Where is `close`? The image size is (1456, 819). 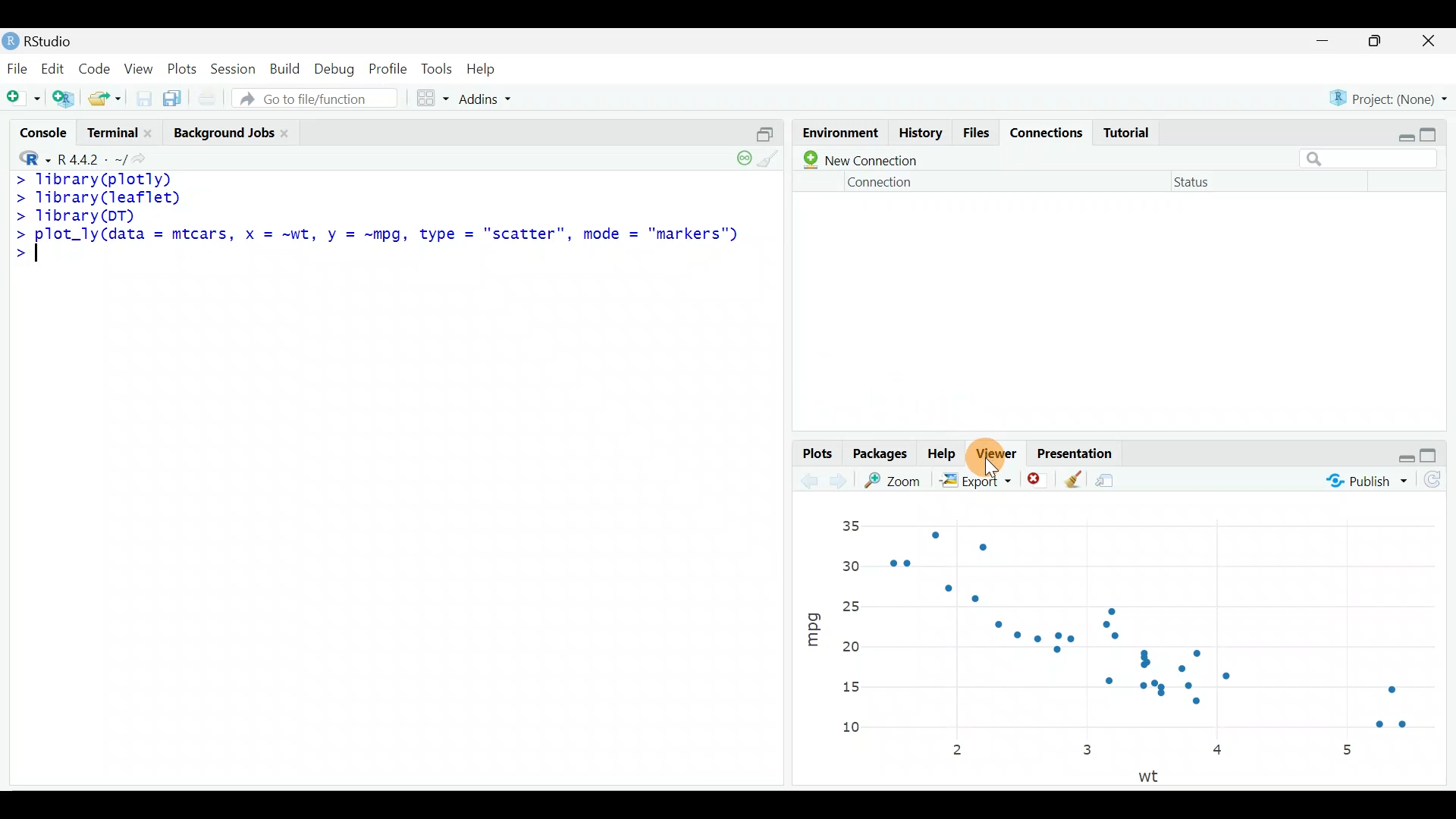
close is located at coordinates (1435, 40).